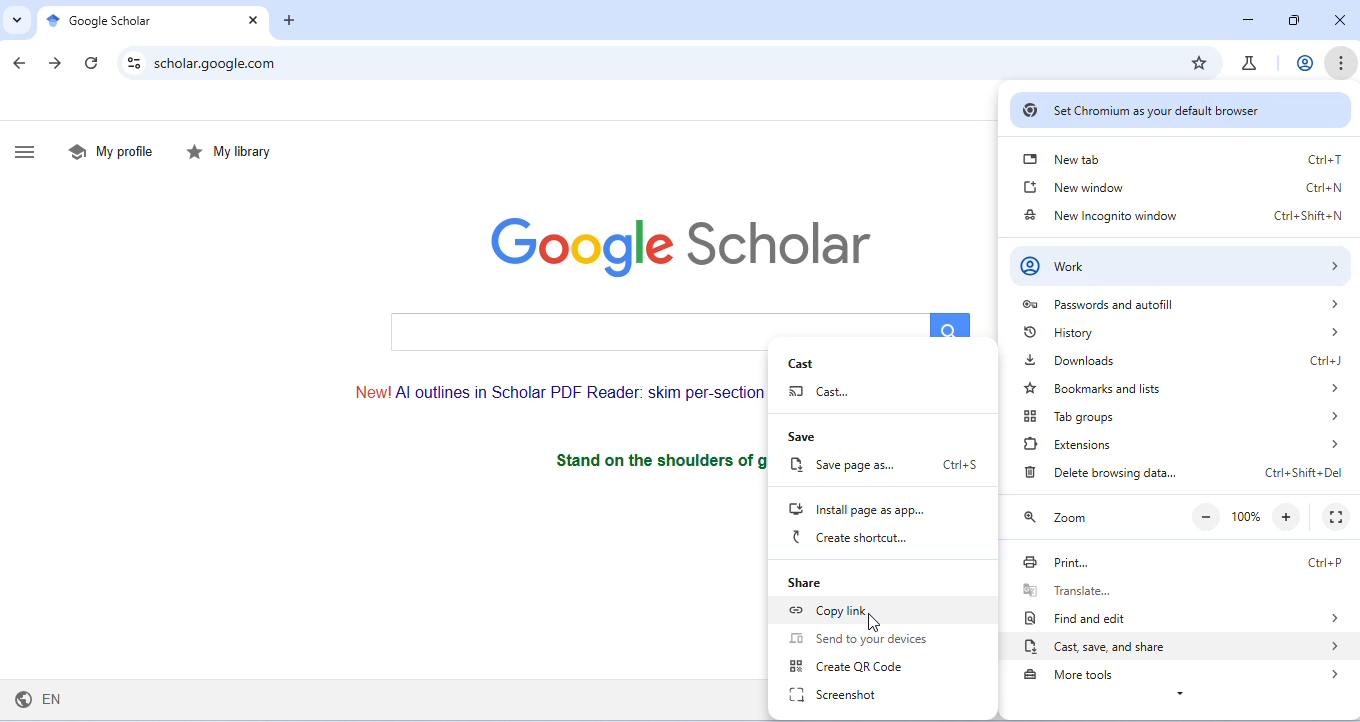 This screenshot has height=722, width=1360. What do you see at coordinates (1246, 517) in the screenshot?
I see `100%` at bounding box center [1246, 517].